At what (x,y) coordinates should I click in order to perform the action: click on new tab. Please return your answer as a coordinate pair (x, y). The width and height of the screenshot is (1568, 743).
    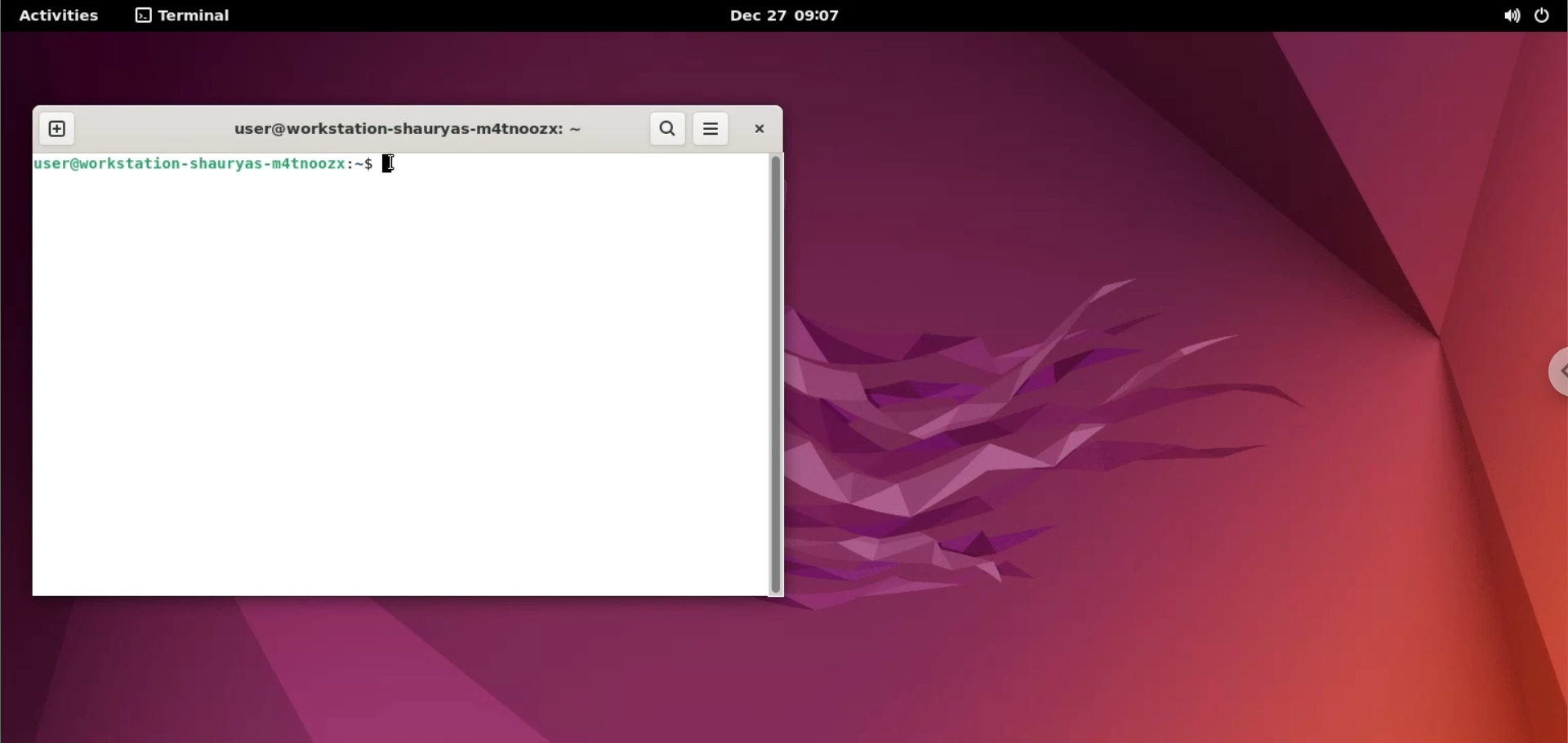
    Looking at the image, I should click on (56, 128).